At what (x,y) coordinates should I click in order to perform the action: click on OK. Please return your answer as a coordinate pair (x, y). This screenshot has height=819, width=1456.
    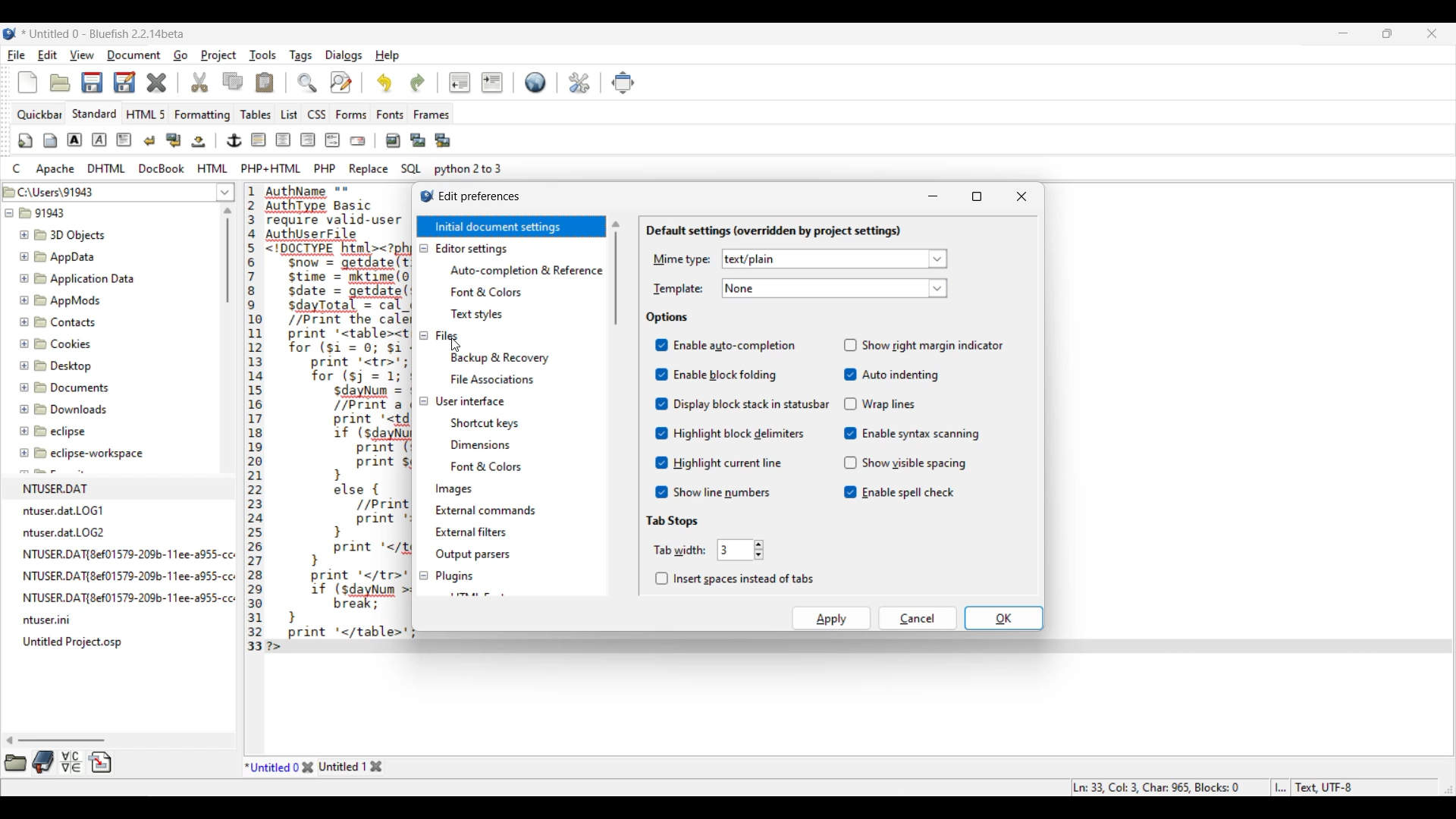
    Looking at the image, I should click on (1004, 618).